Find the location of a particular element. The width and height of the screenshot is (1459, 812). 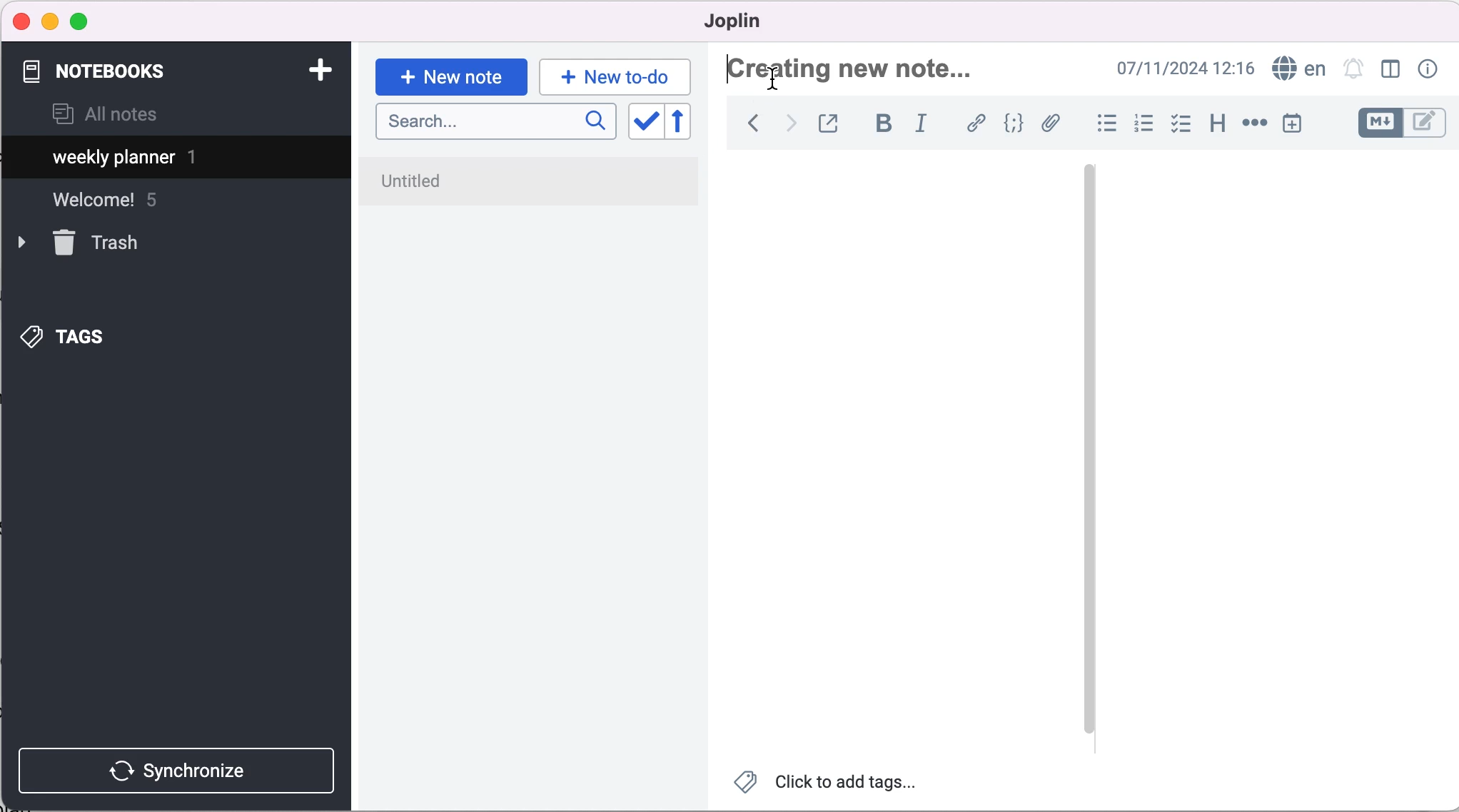

07/11/2024 09:03 is located at coordinates (1183, 68).